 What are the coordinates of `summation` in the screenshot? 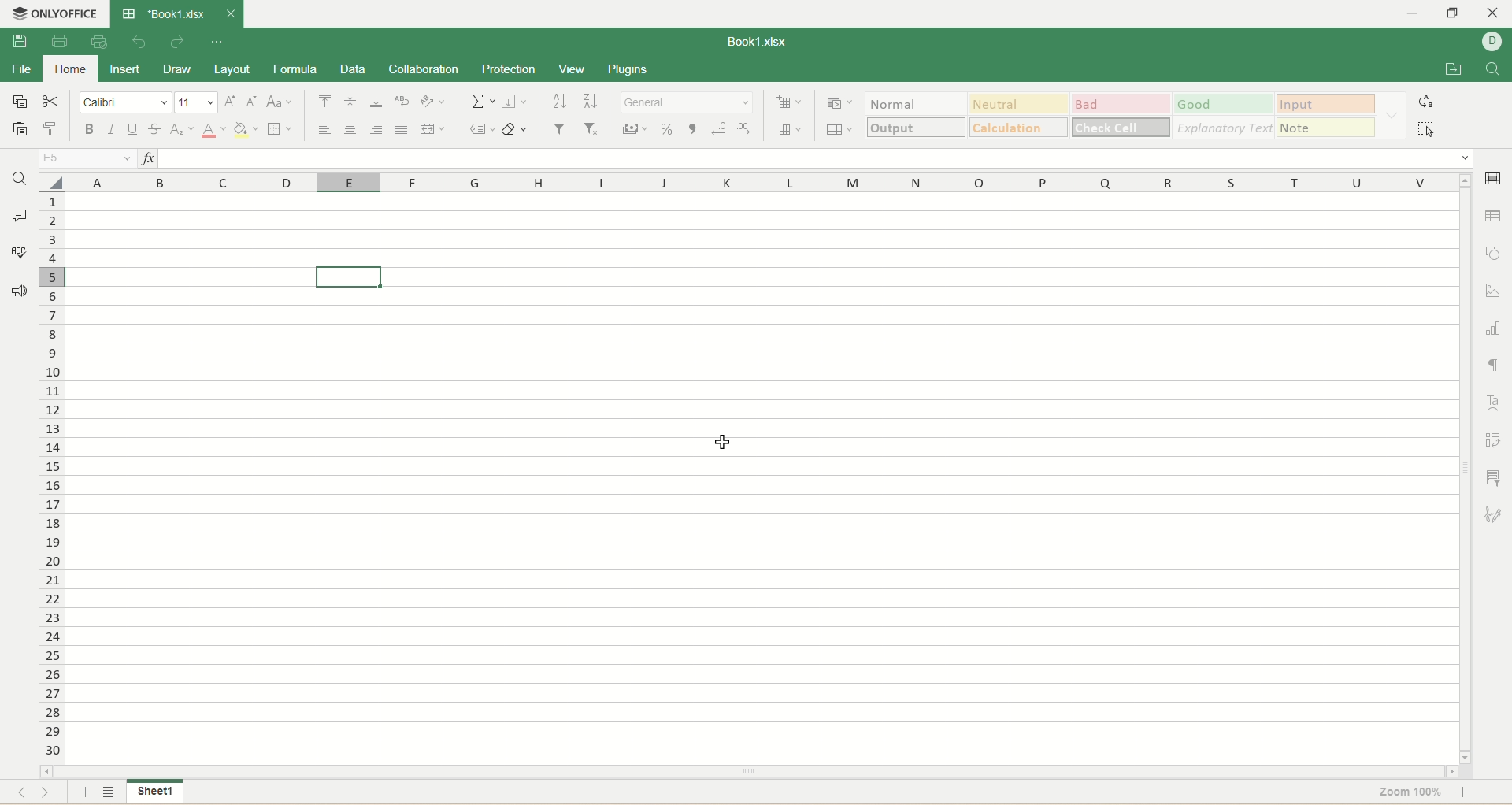 It's located at (485, 101).